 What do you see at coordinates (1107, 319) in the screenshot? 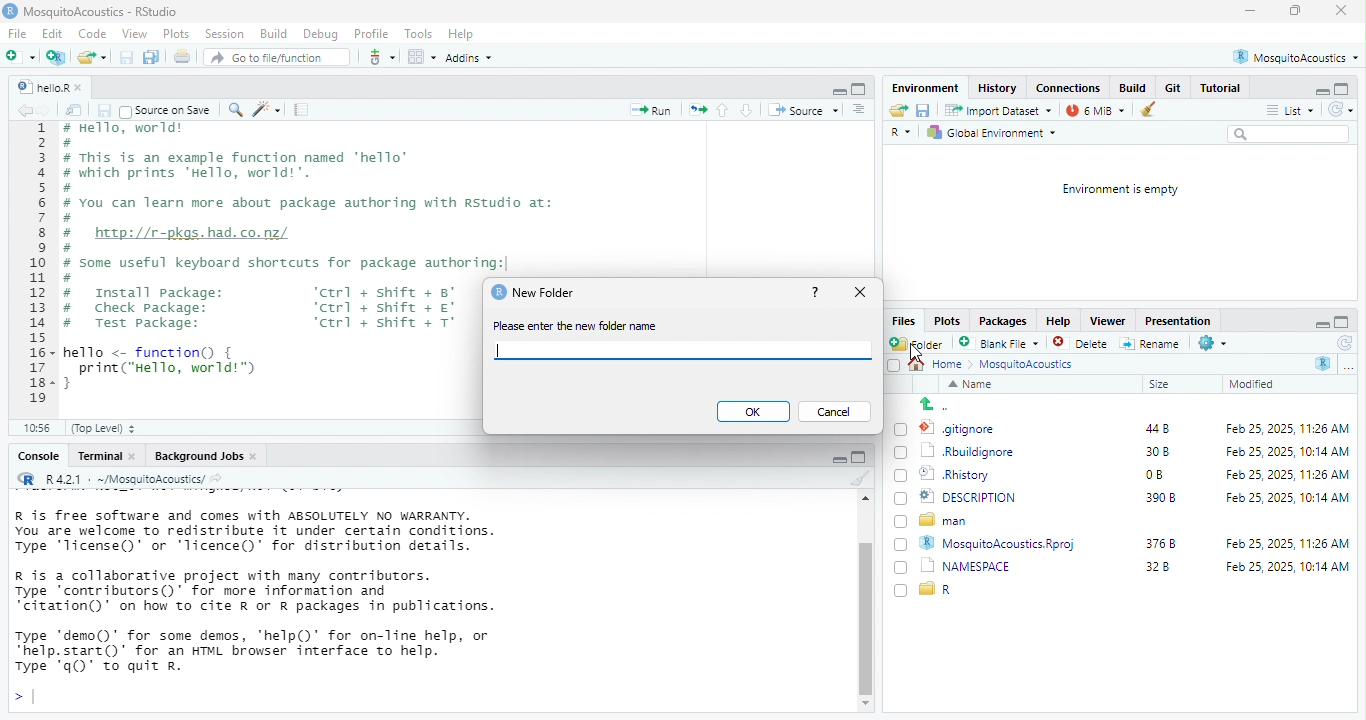
I see `Viewer` at bounding box center [1107, 319].